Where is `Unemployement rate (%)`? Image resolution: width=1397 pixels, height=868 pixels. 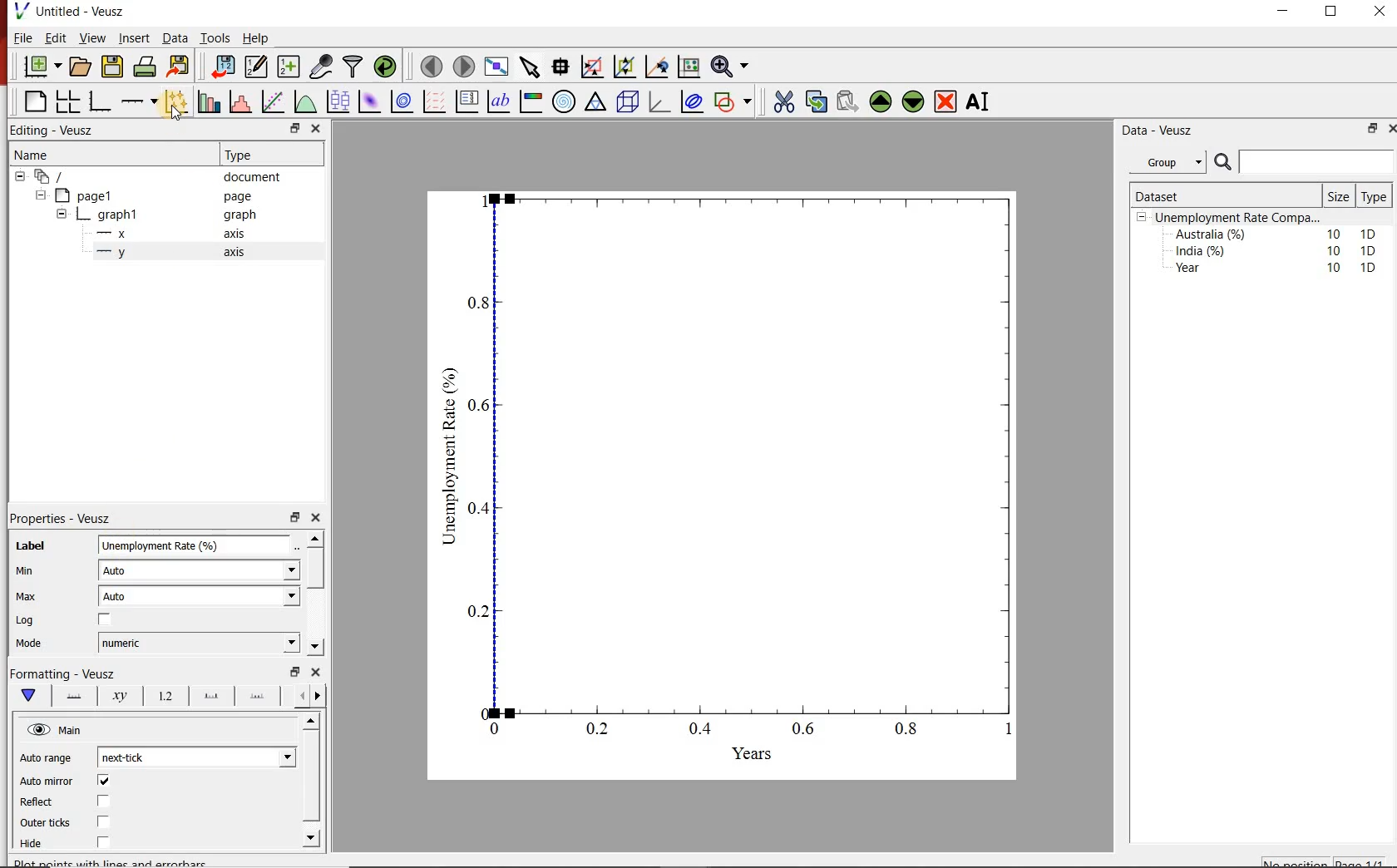
Unemployement rate (%) is located at coordinates (197, 545).